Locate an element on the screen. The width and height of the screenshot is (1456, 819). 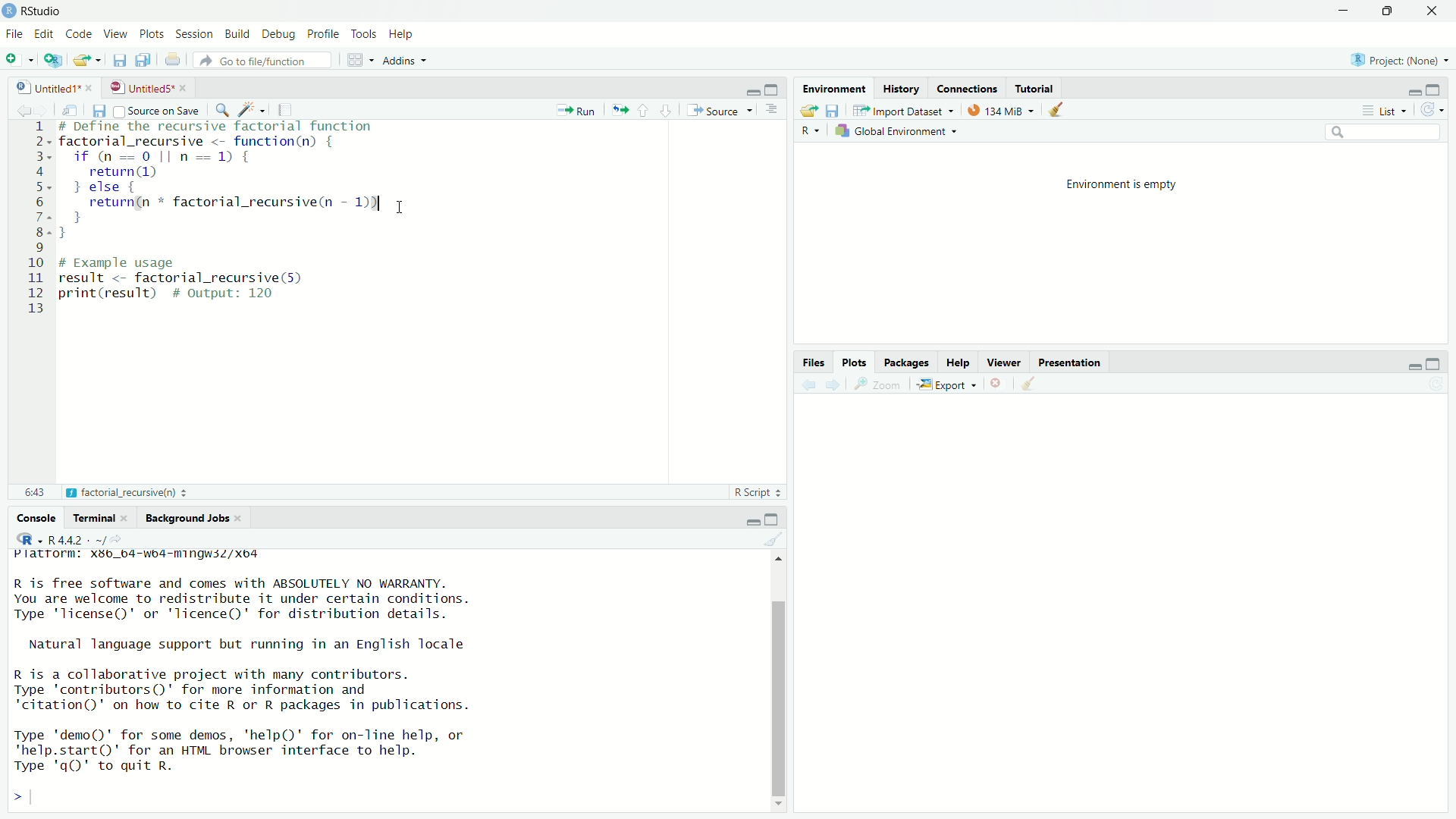
Presentation is located at coordinates (1071, 361).